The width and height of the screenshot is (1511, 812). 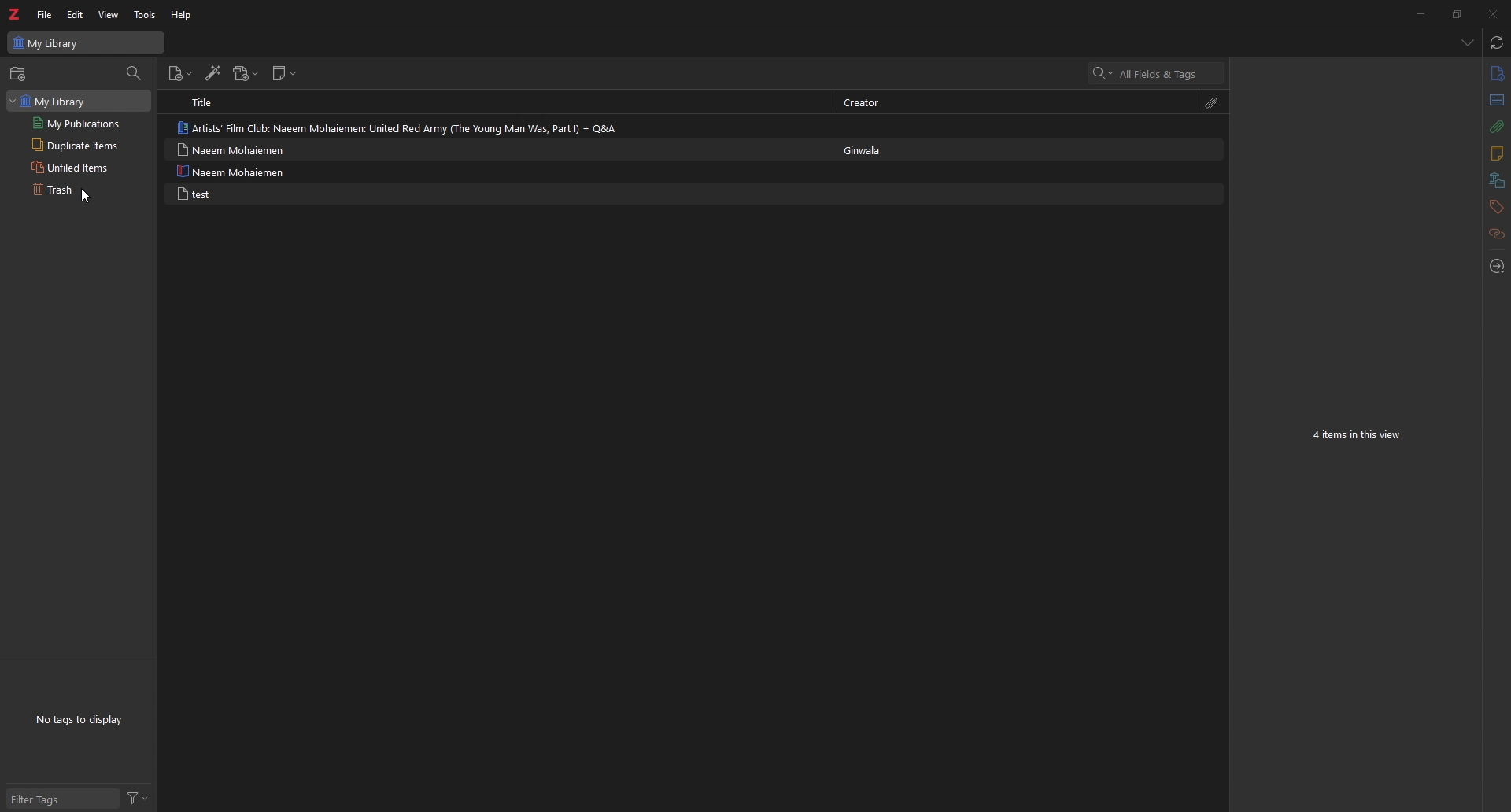 What do you see at coordinates (1497, 73) in the screenshot?
I see `info` at bounding box center [1497, 73].